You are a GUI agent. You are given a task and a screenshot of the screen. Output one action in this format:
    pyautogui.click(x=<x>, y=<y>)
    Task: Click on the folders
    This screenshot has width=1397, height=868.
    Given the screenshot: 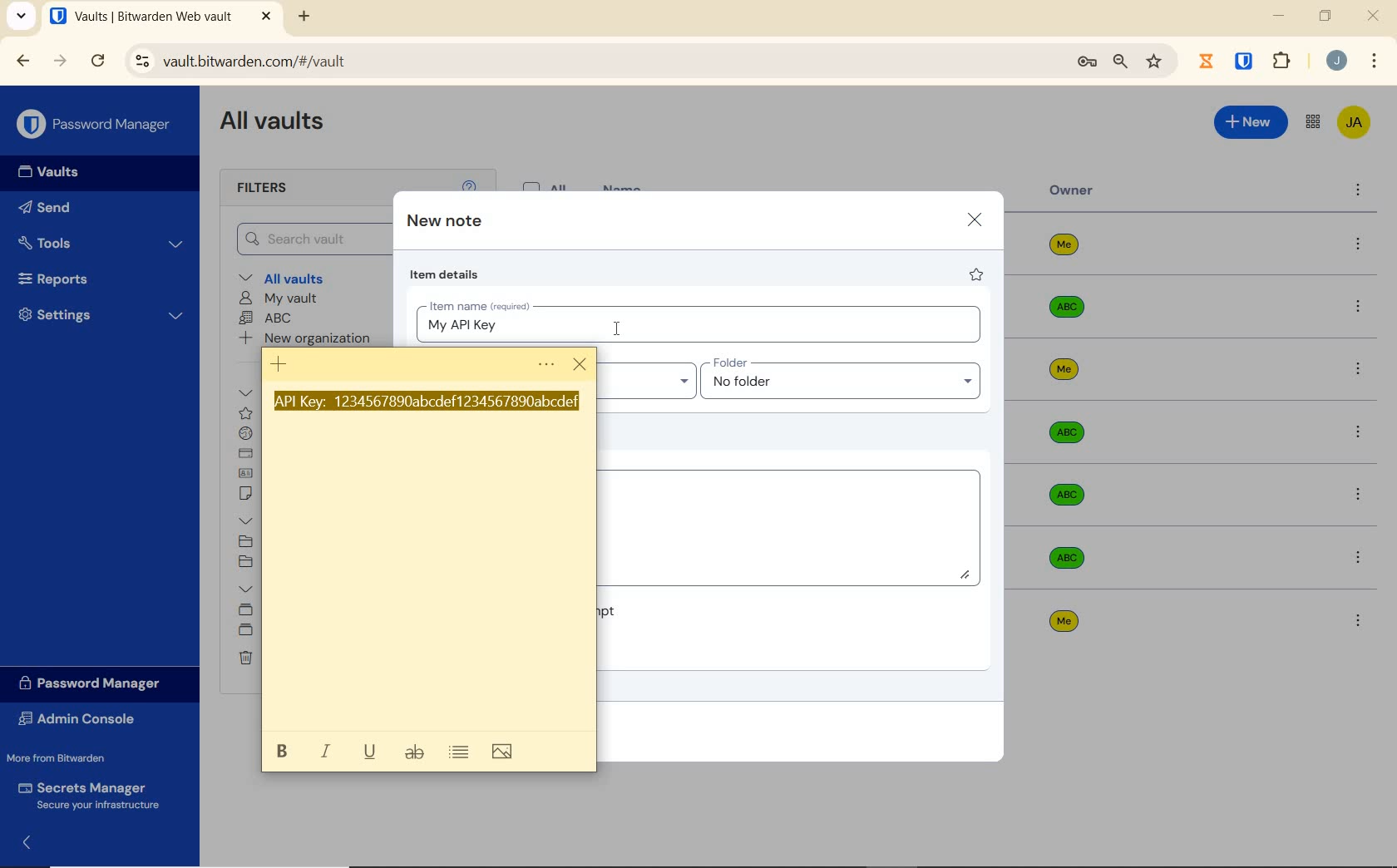 What is the action you would take?
    pyautogui.click(x=246, y=521)
    